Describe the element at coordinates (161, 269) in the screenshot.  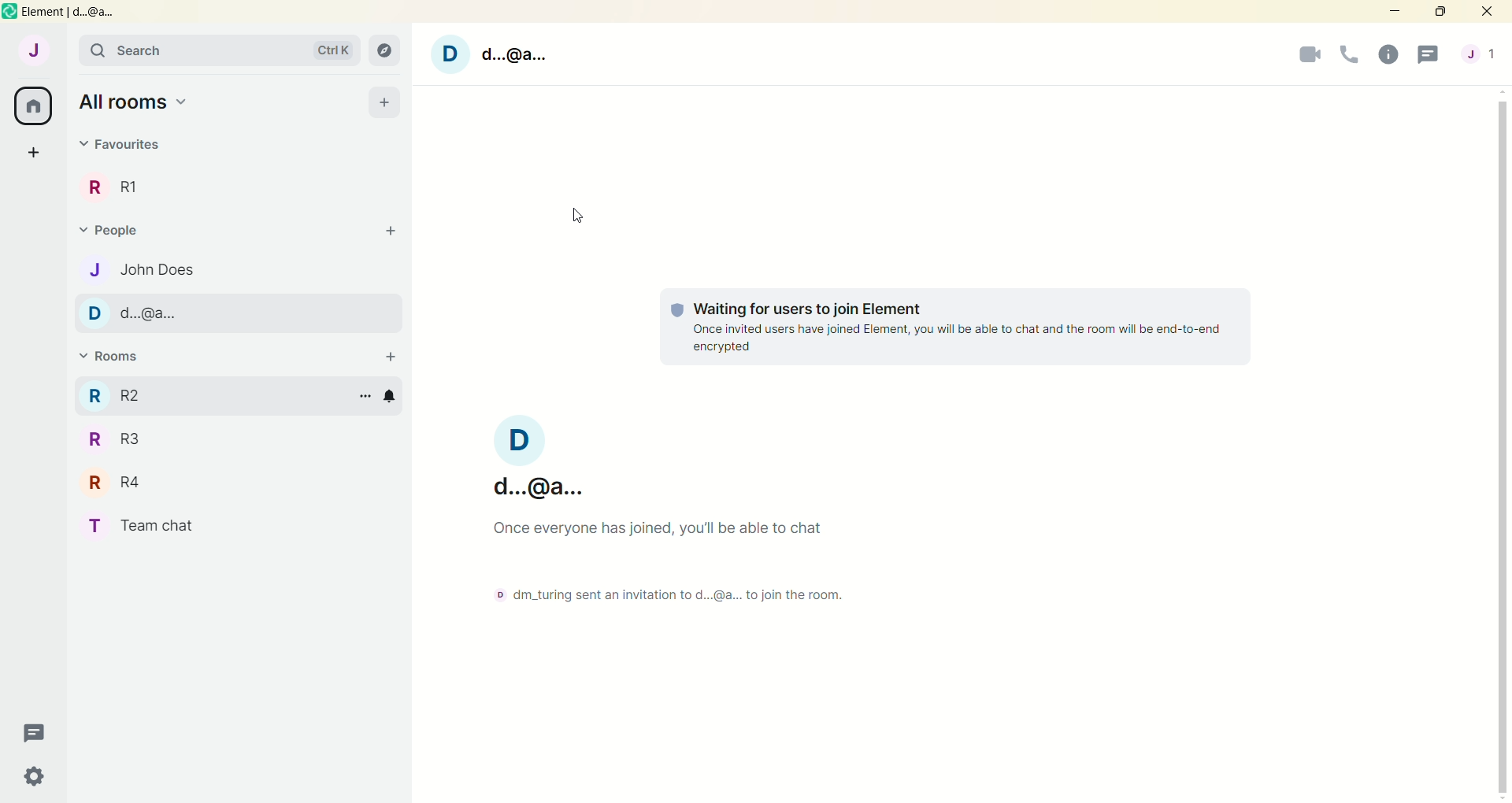
I see `John Does` at that location.